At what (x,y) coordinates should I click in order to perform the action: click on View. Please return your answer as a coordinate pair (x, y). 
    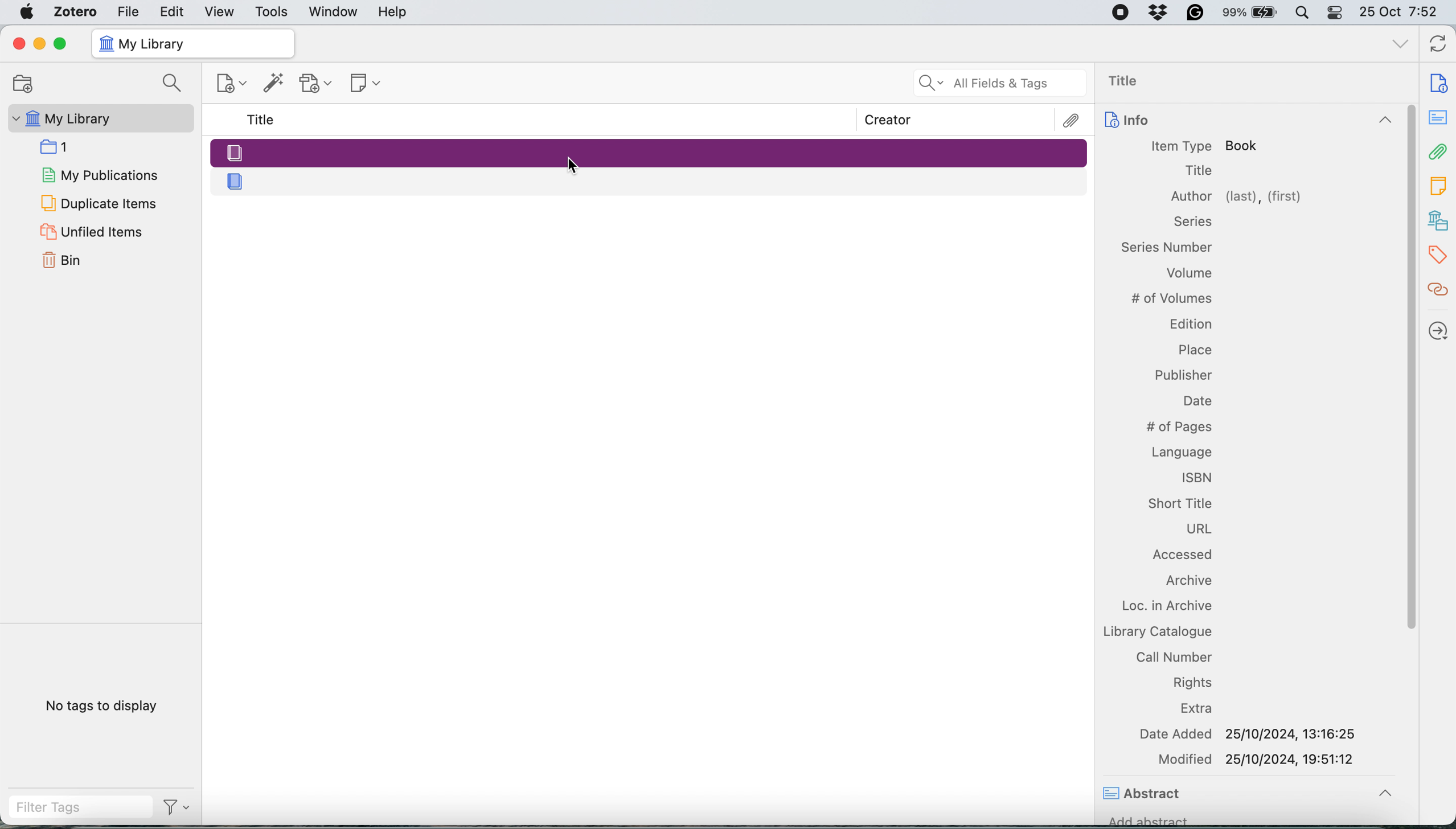
    Looking at the image, I should click on (221, 12).